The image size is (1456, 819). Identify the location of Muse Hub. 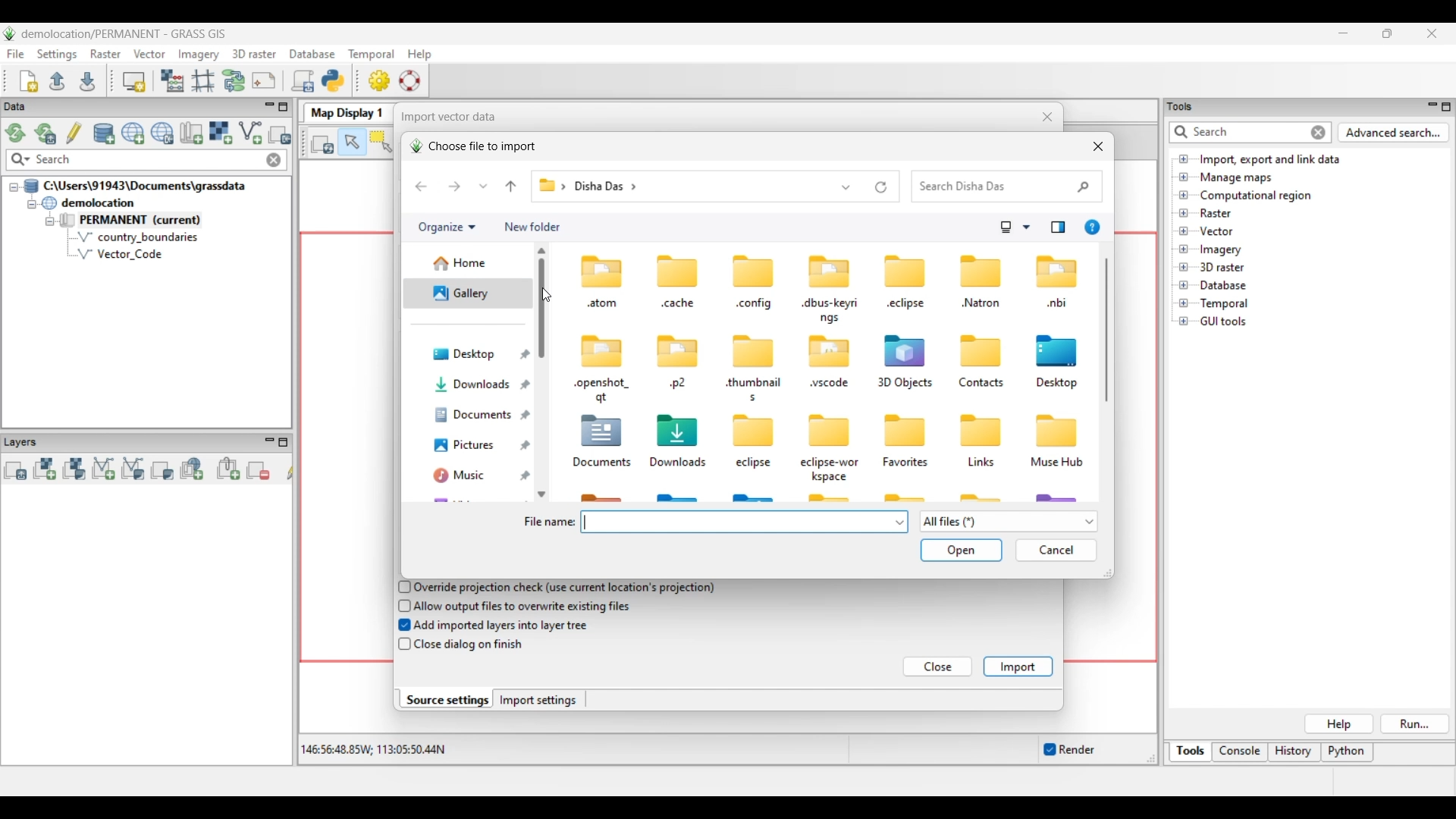
(1057, 463).